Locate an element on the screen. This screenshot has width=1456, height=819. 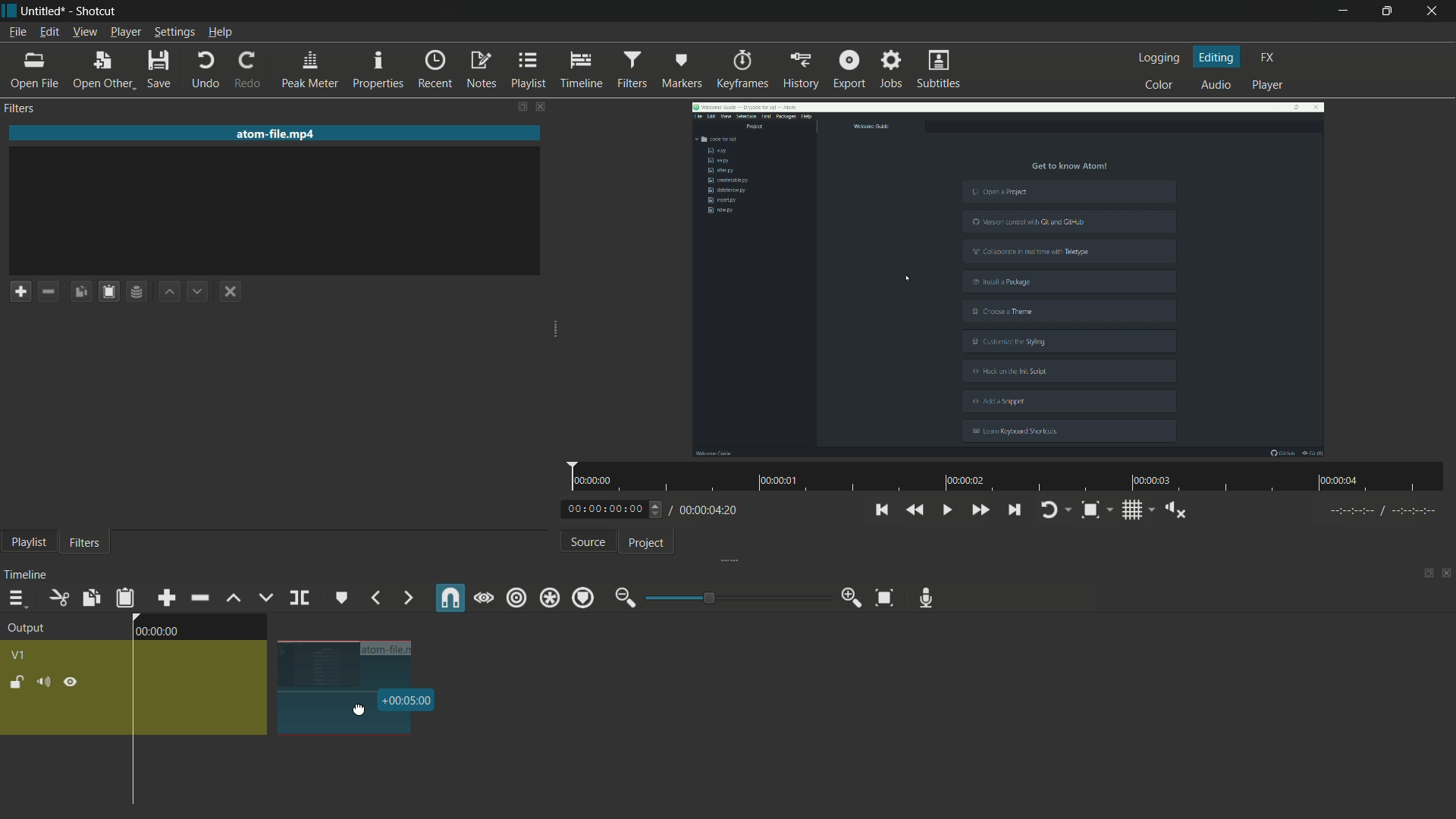
scrub while dragging is located at coordinates (484, 598).